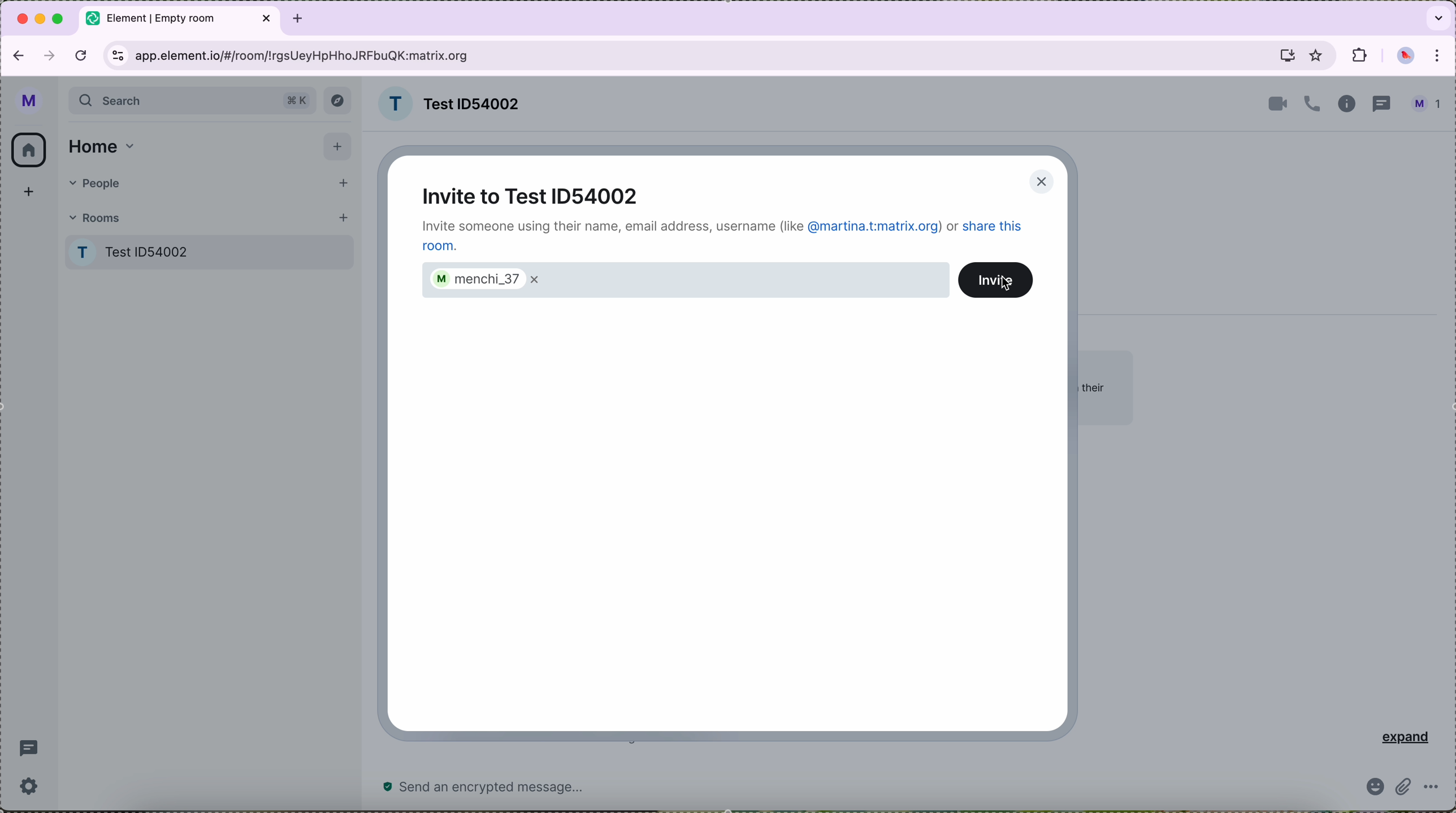 This screenshot has width=1456, height=813. What do you see at coordinates (1006, 287) in the screenshot?
I see `cursor` at bounding box center [1006, 287].